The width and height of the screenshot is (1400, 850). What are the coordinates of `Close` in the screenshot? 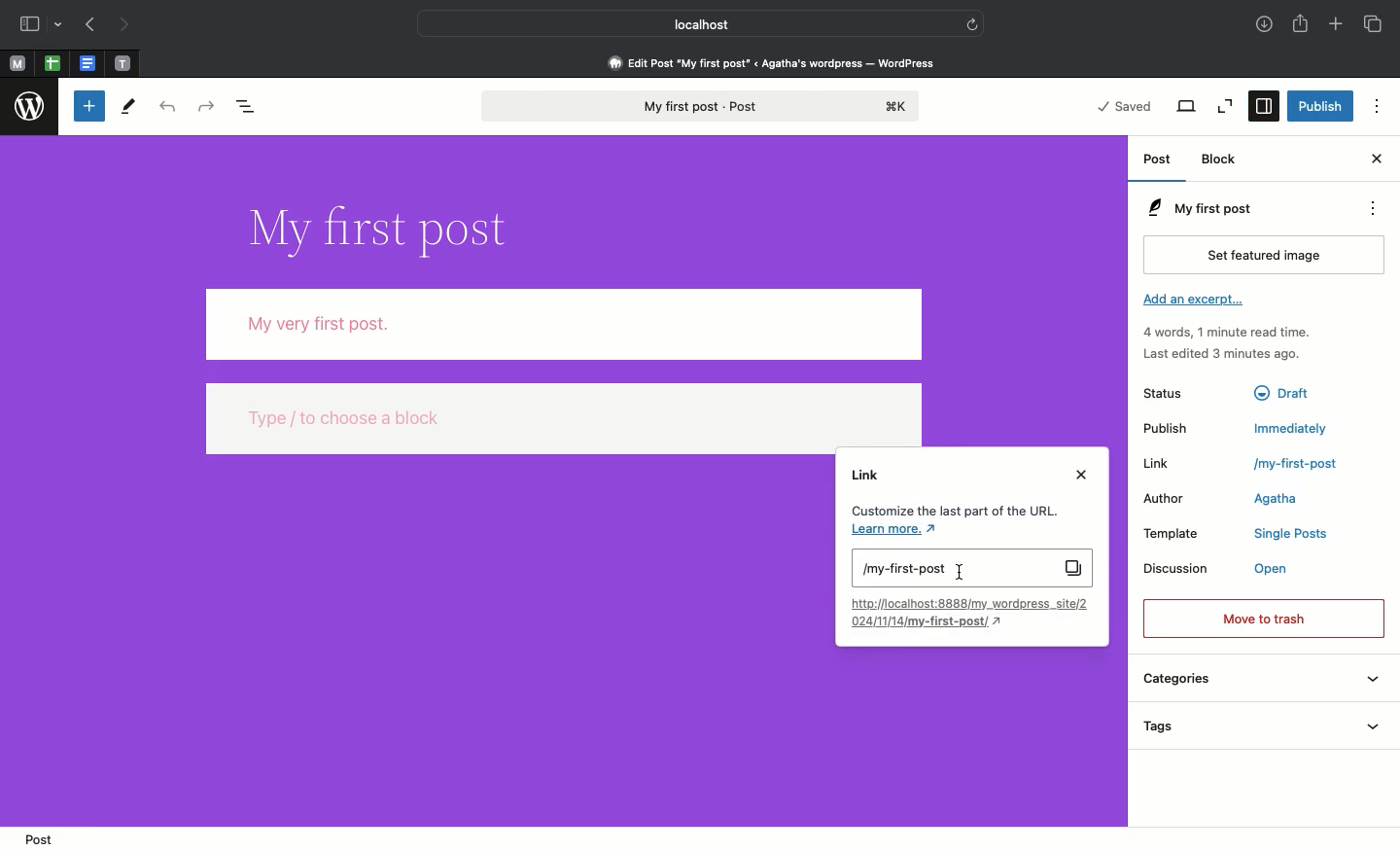 It's located at (1079, 476).